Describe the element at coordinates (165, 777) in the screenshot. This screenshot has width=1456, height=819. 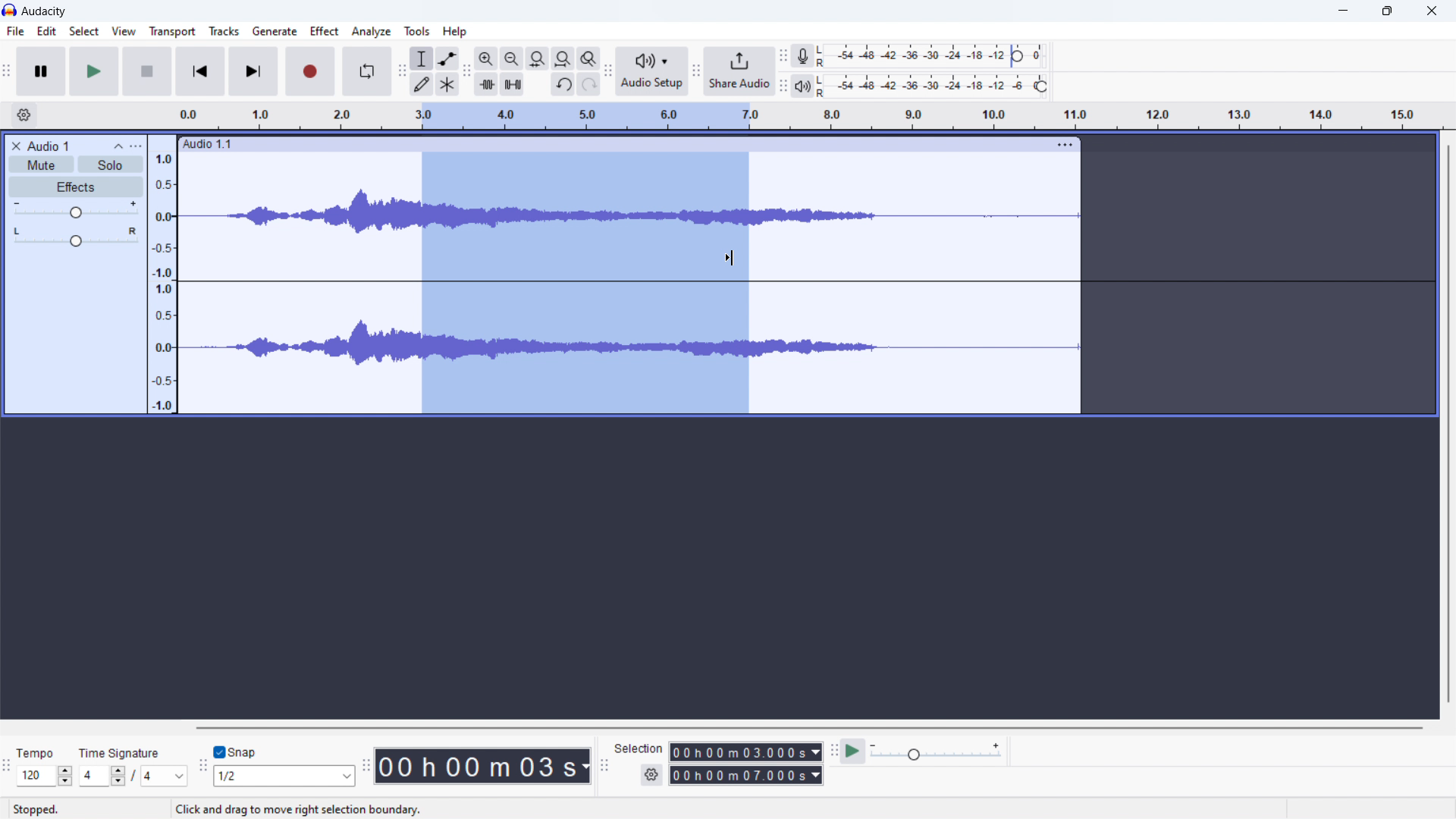
I see `4` at that location.